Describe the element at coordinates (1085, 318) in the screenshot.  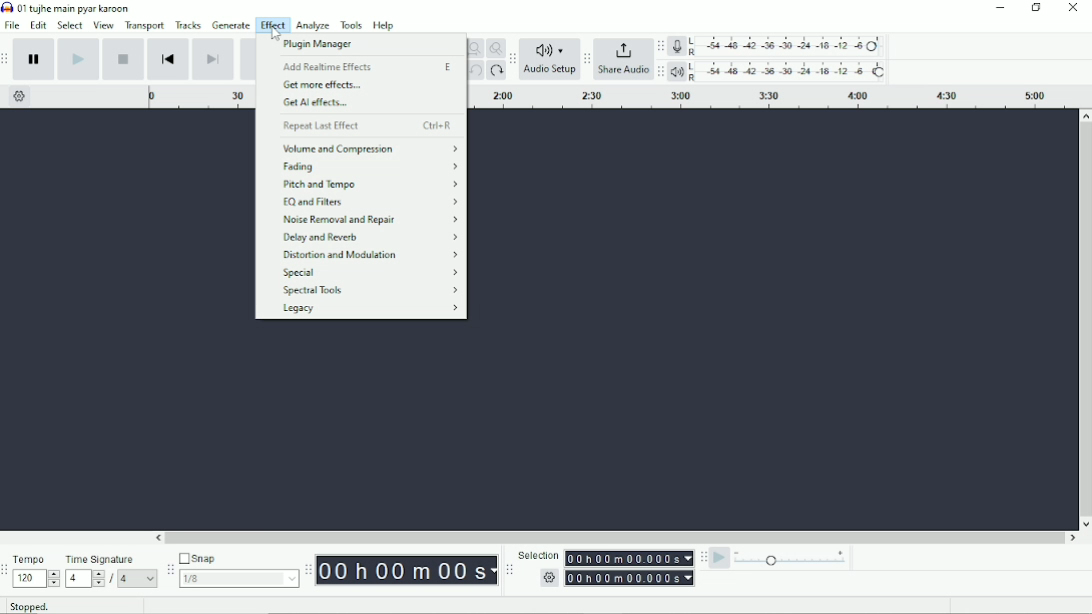
I see `Vertical scrollbar` at that location.